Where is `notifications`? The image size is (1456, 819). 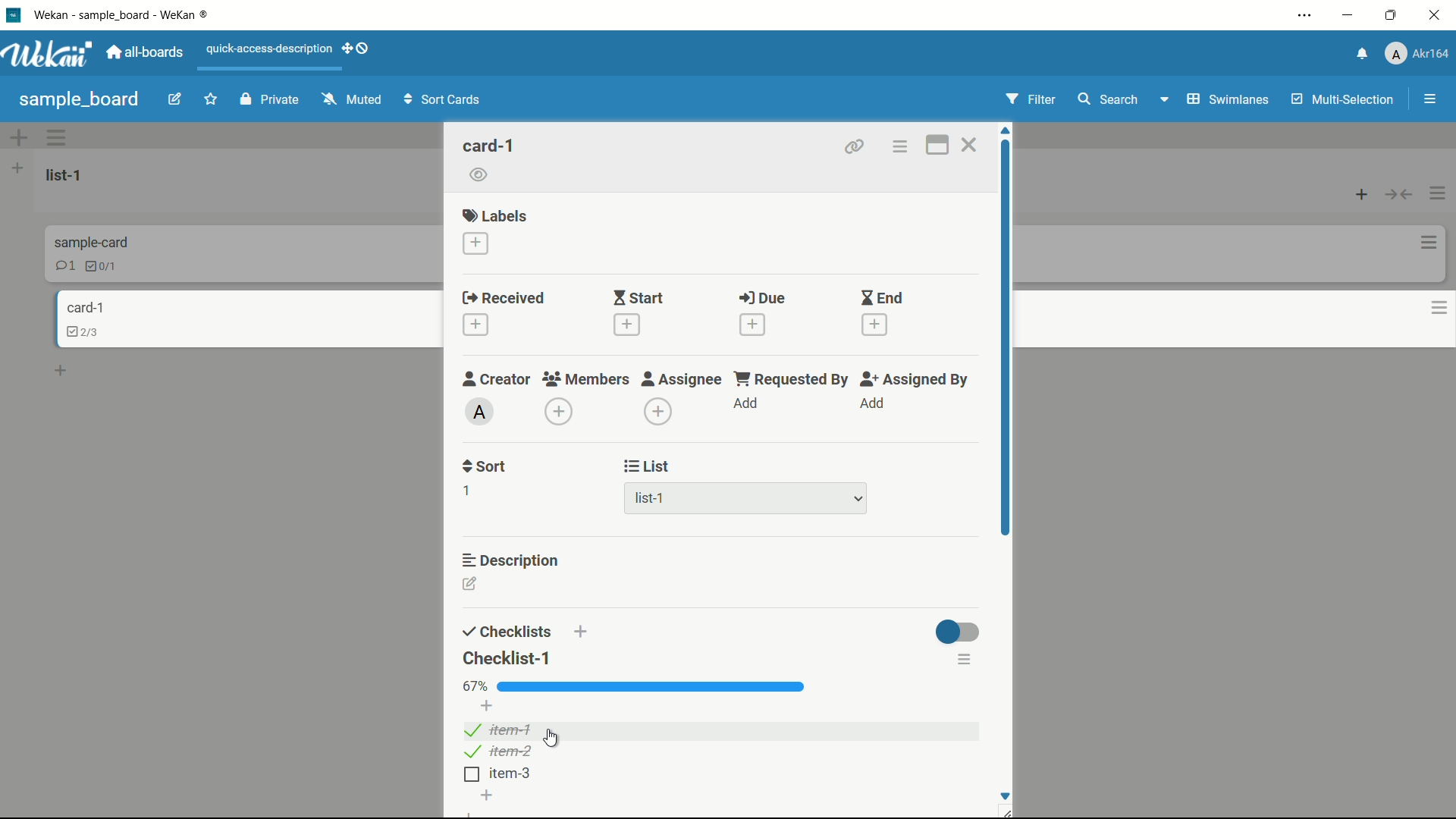
notifications is located at coordinates (1357, 55).